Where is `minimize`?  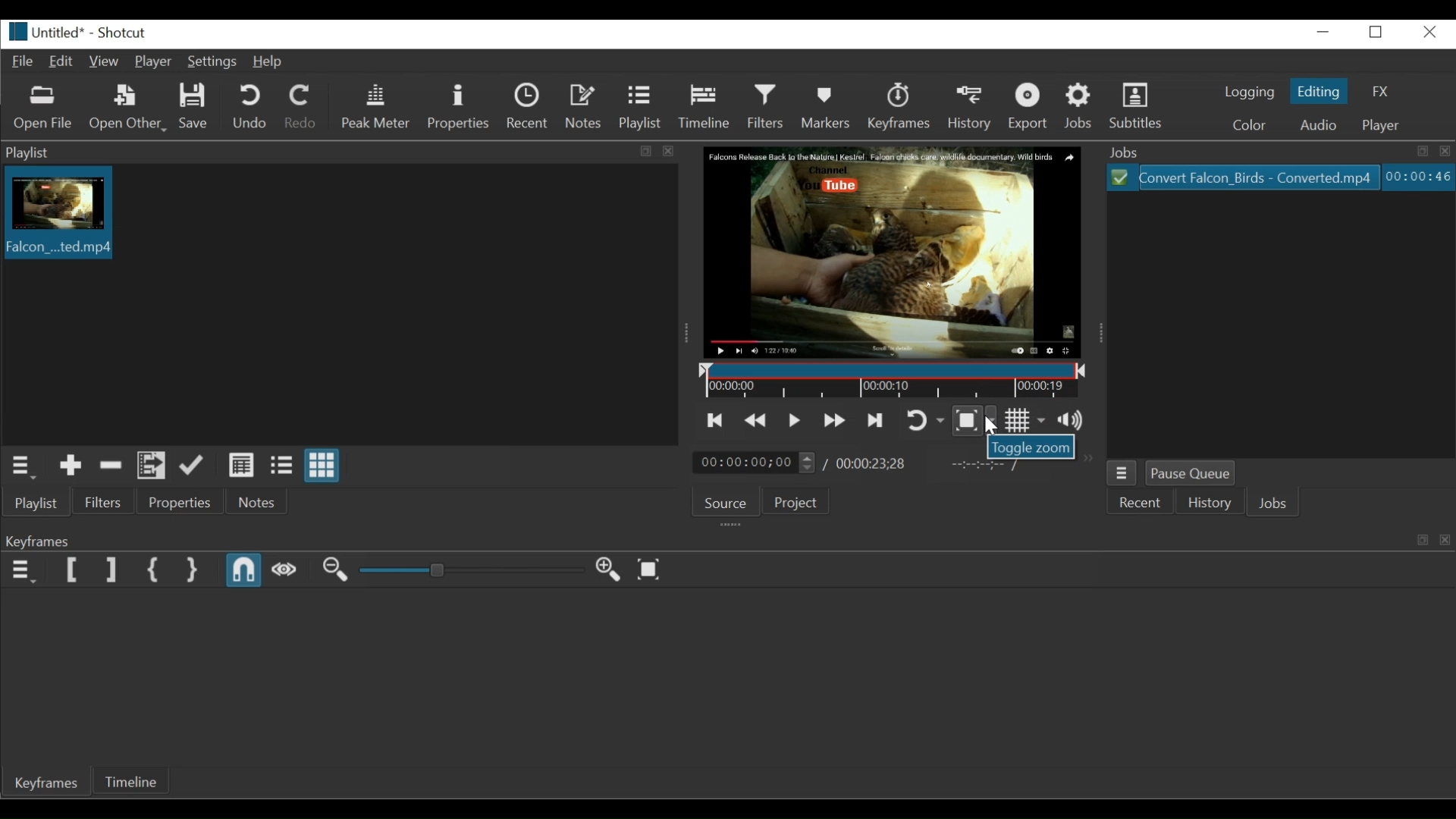 minimize is located at coordinates (1323, 30).